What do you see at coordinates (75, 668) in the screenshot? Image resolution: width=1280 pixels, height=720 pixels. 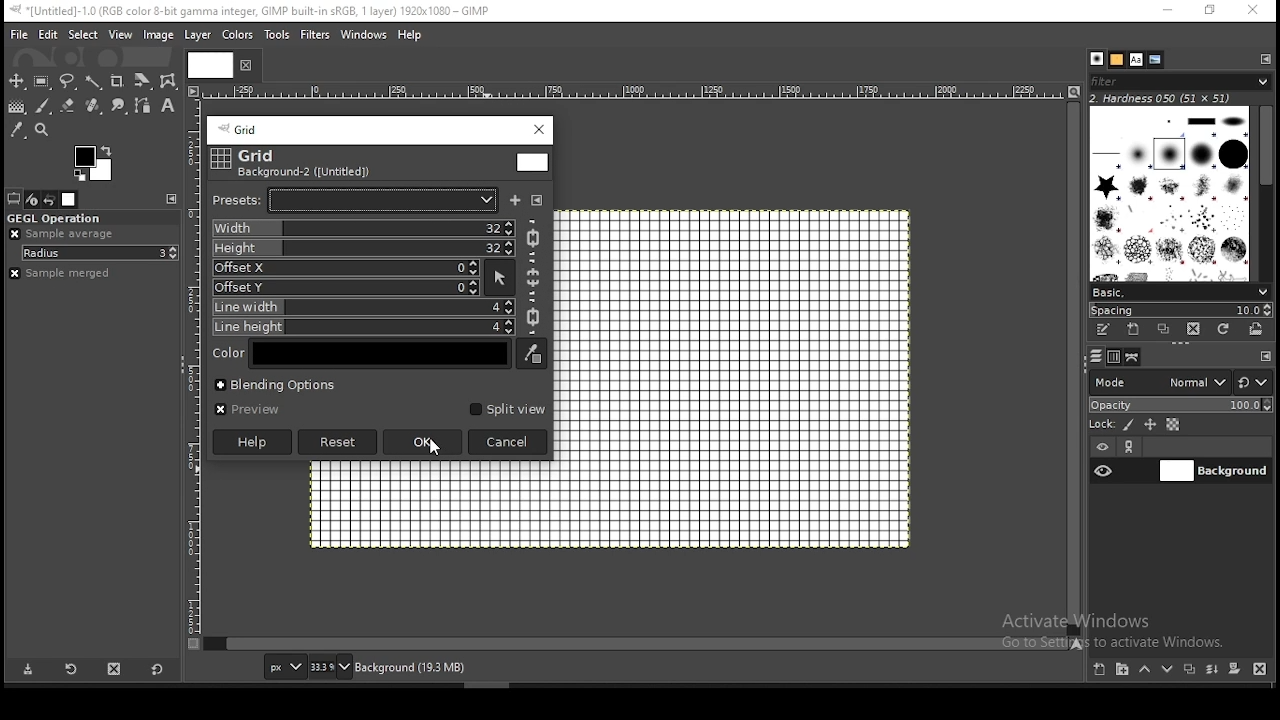 I see `restore tool preset` at bounding box center [75, 668].